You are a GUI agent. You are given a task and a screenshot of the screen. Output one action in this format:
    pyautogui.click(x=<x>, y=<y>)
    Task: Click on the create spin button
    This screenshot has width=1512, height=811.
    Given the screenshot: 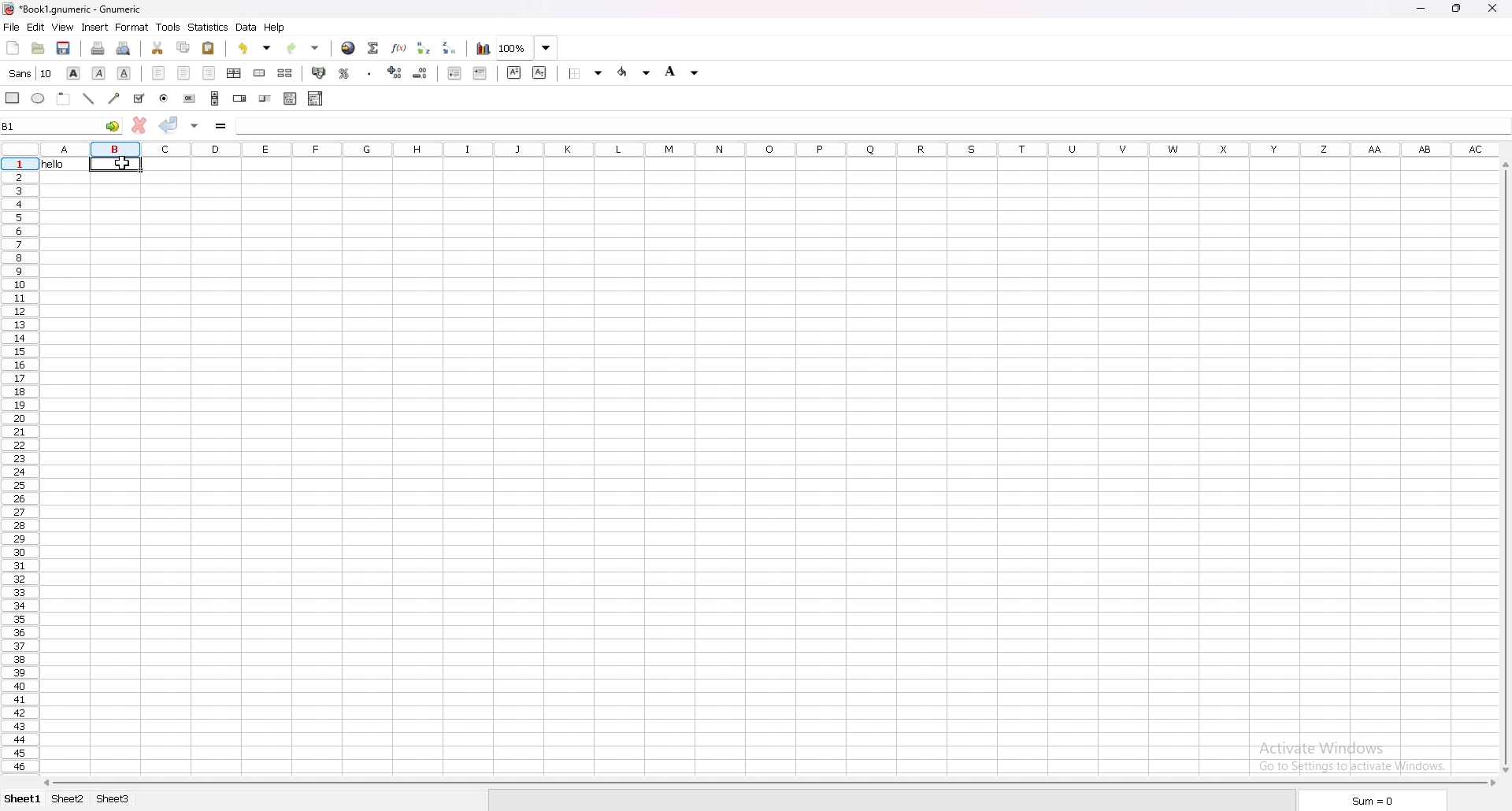 What is the action you would take?
    pyautogui.click(x=240, y=98)
    